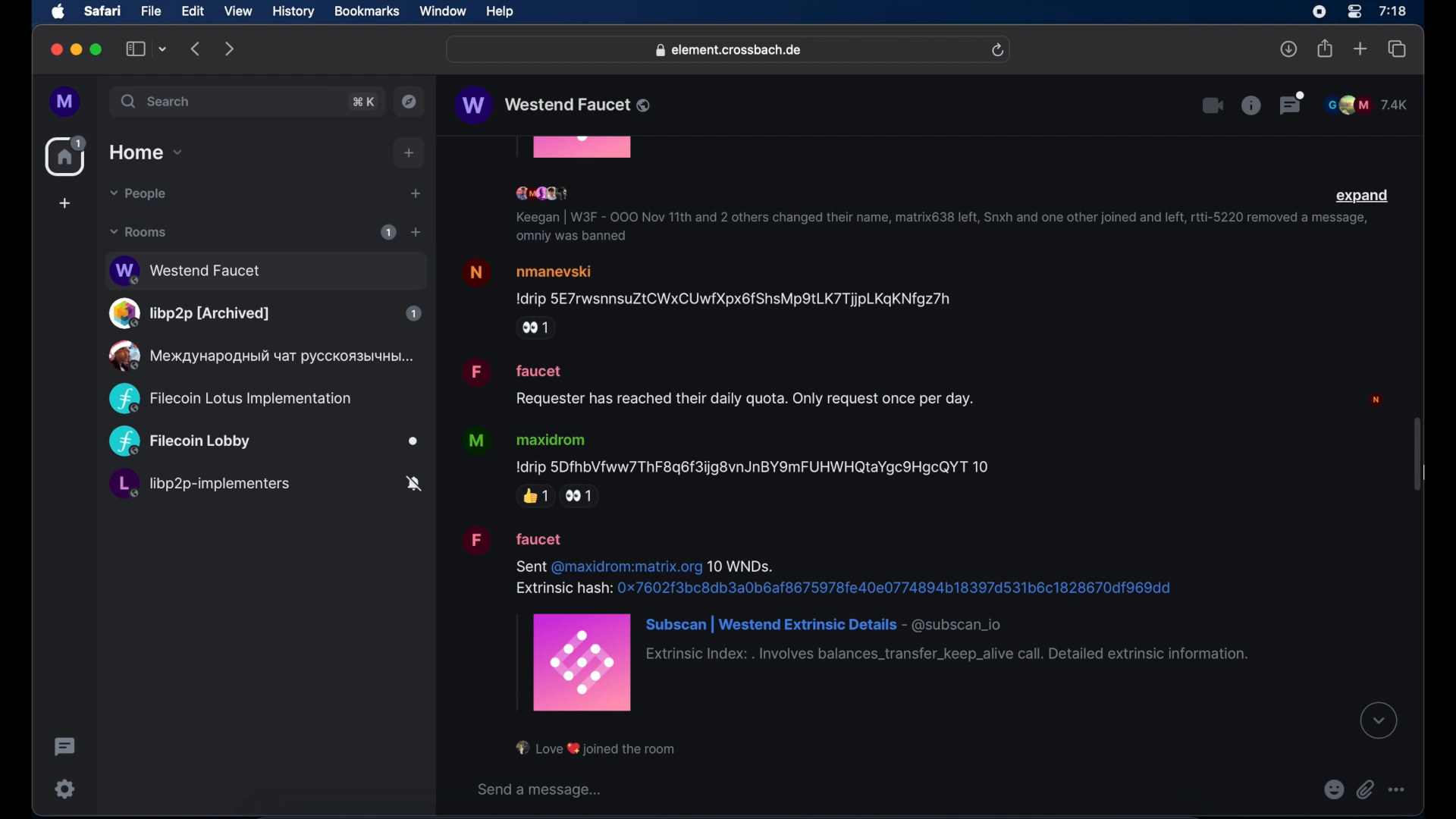 This screenshot has height=819, width=1456. Describe the element at coordinates (708, 282) in the screenshot. I see `message` at that location.